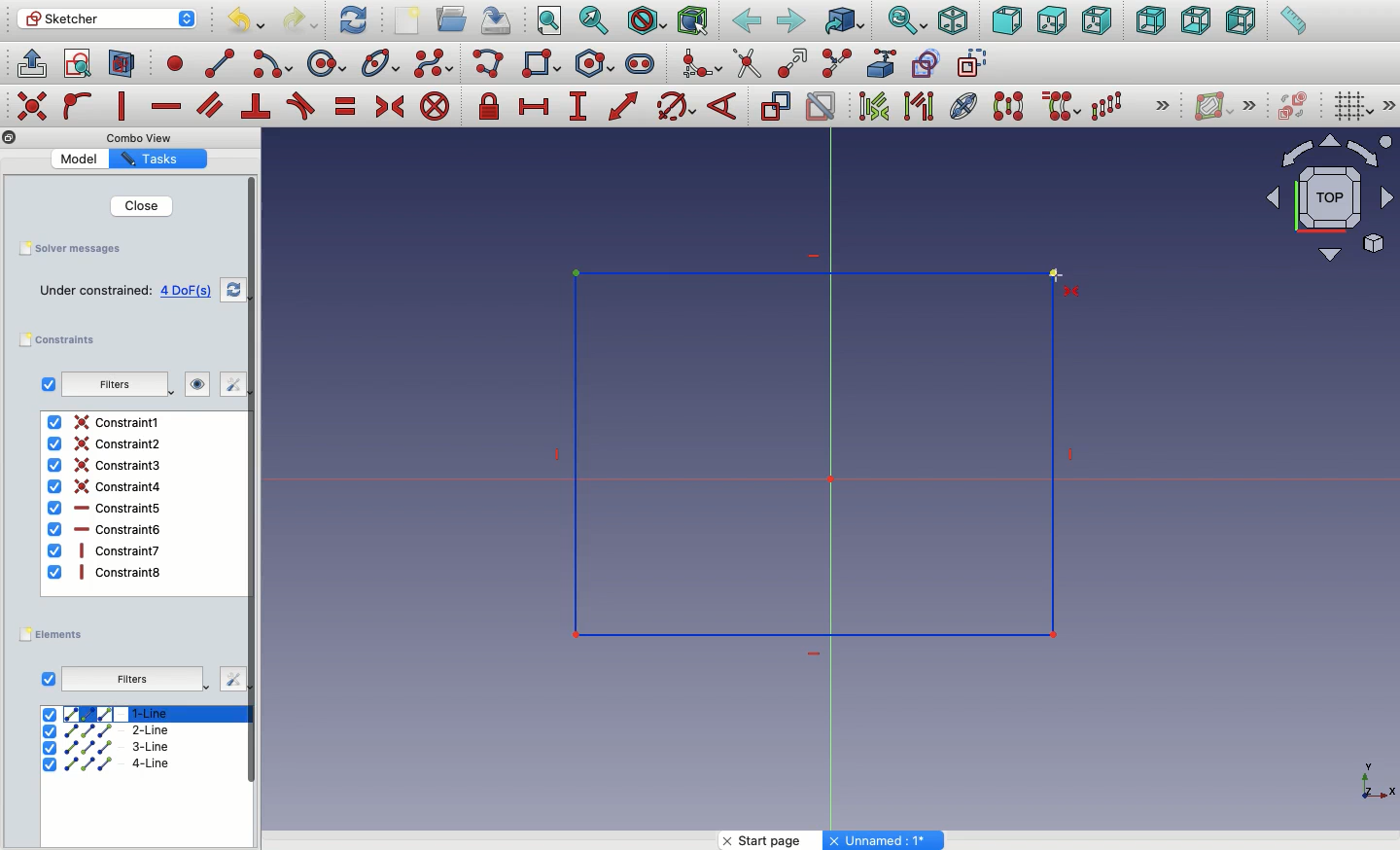 The width and height of the screenshot is (1400, 850). Describe the element at coordinates (434, 106) in the screenshot. I see `constrain block` at that location.